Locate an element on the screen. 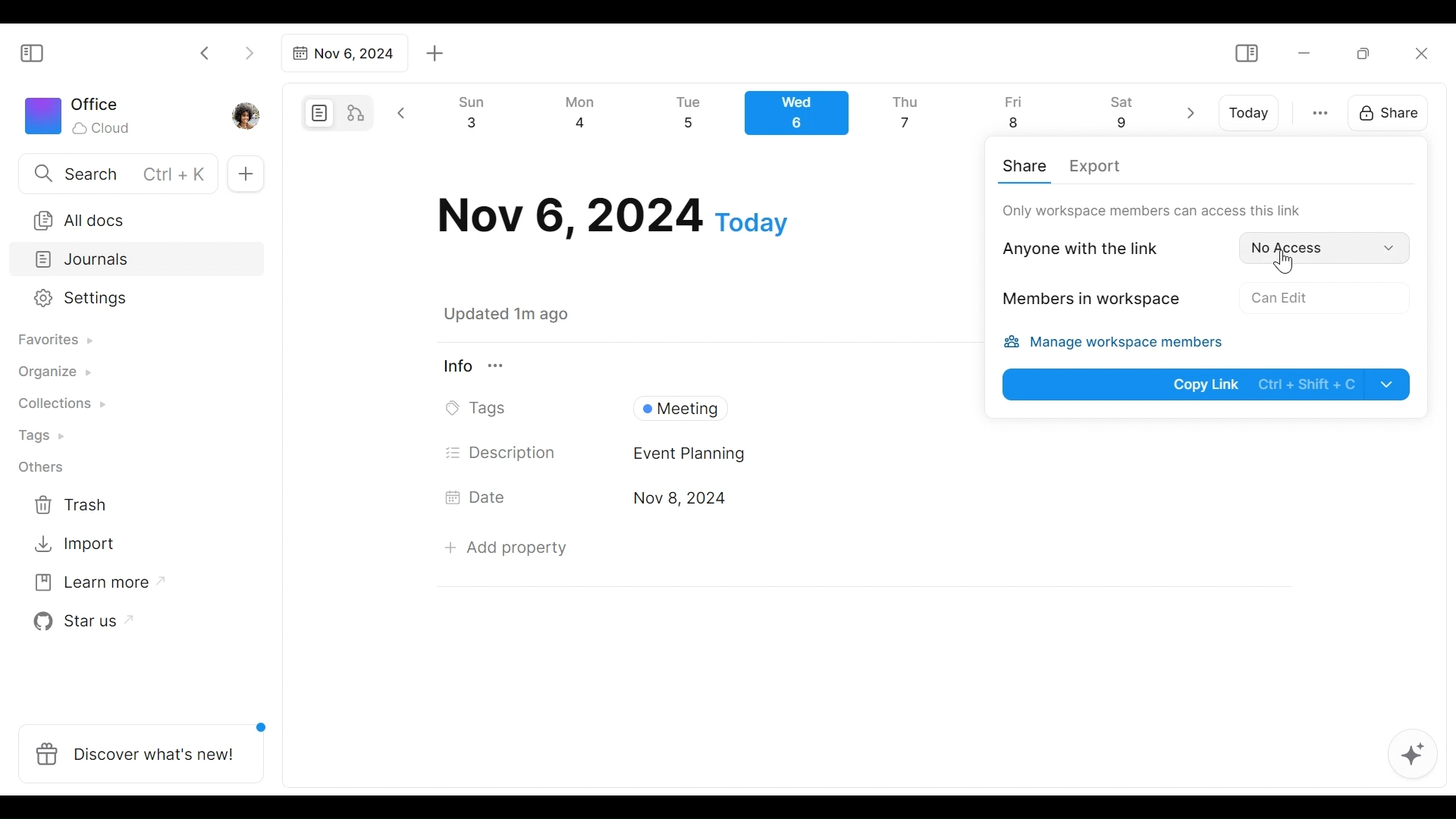  Trash is located at coordinates (72, 505).